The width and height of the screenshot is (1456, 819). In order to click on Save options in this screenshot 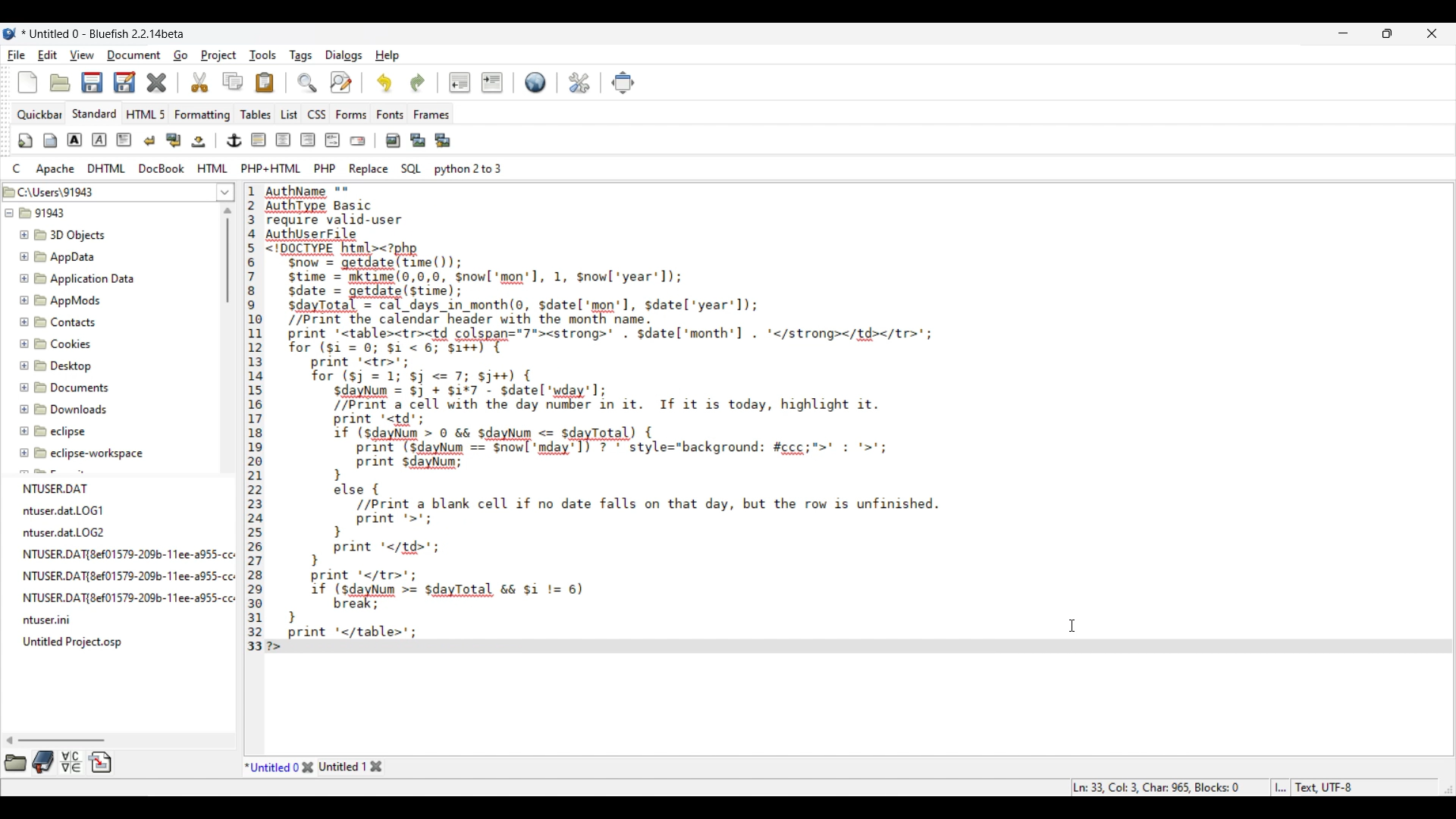, I will do `click(109, 82)`.